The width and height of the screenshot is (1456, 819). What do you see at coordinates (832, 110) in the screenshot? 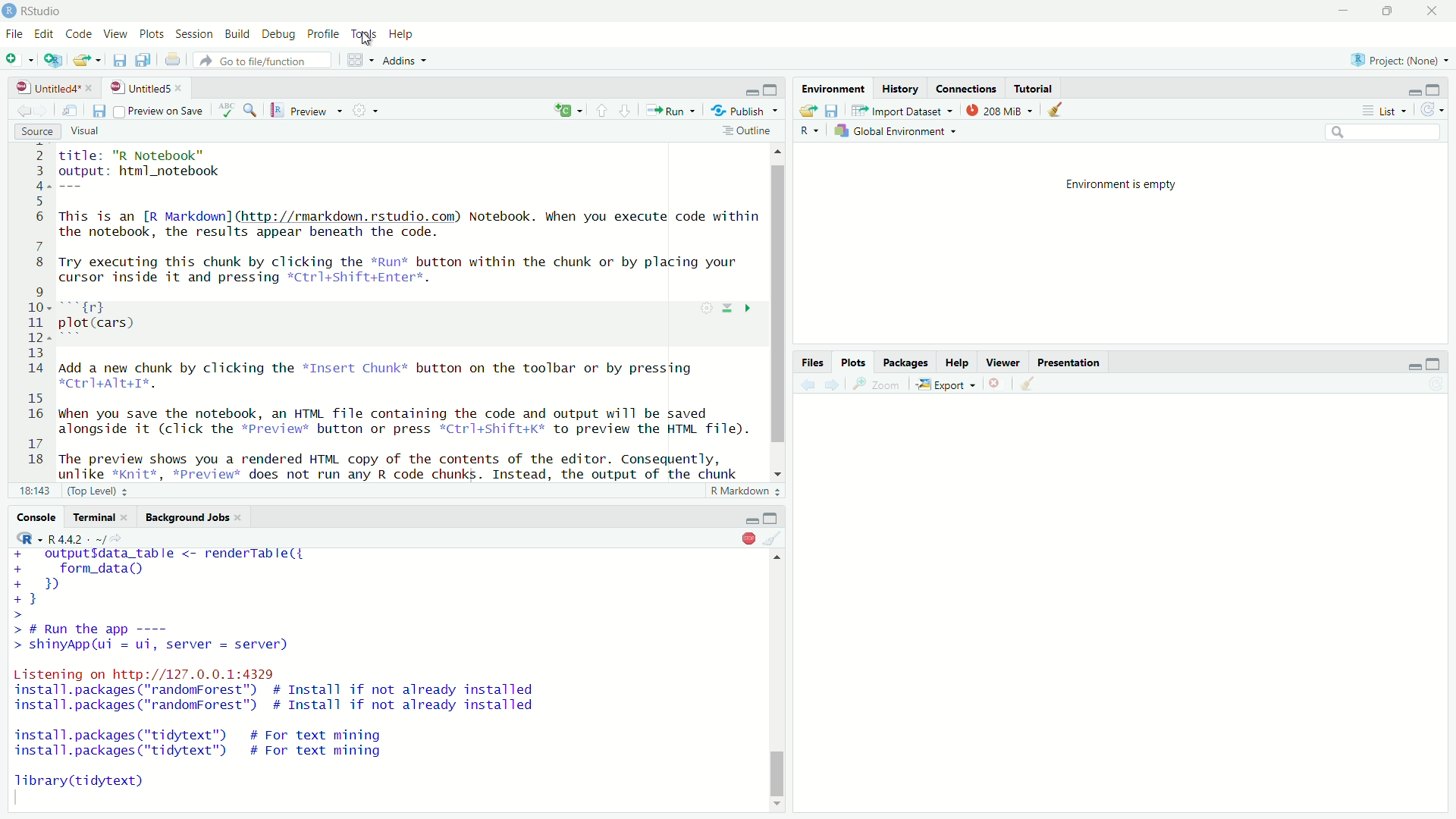
I see `save workspace` at bounding box center [832, 110].